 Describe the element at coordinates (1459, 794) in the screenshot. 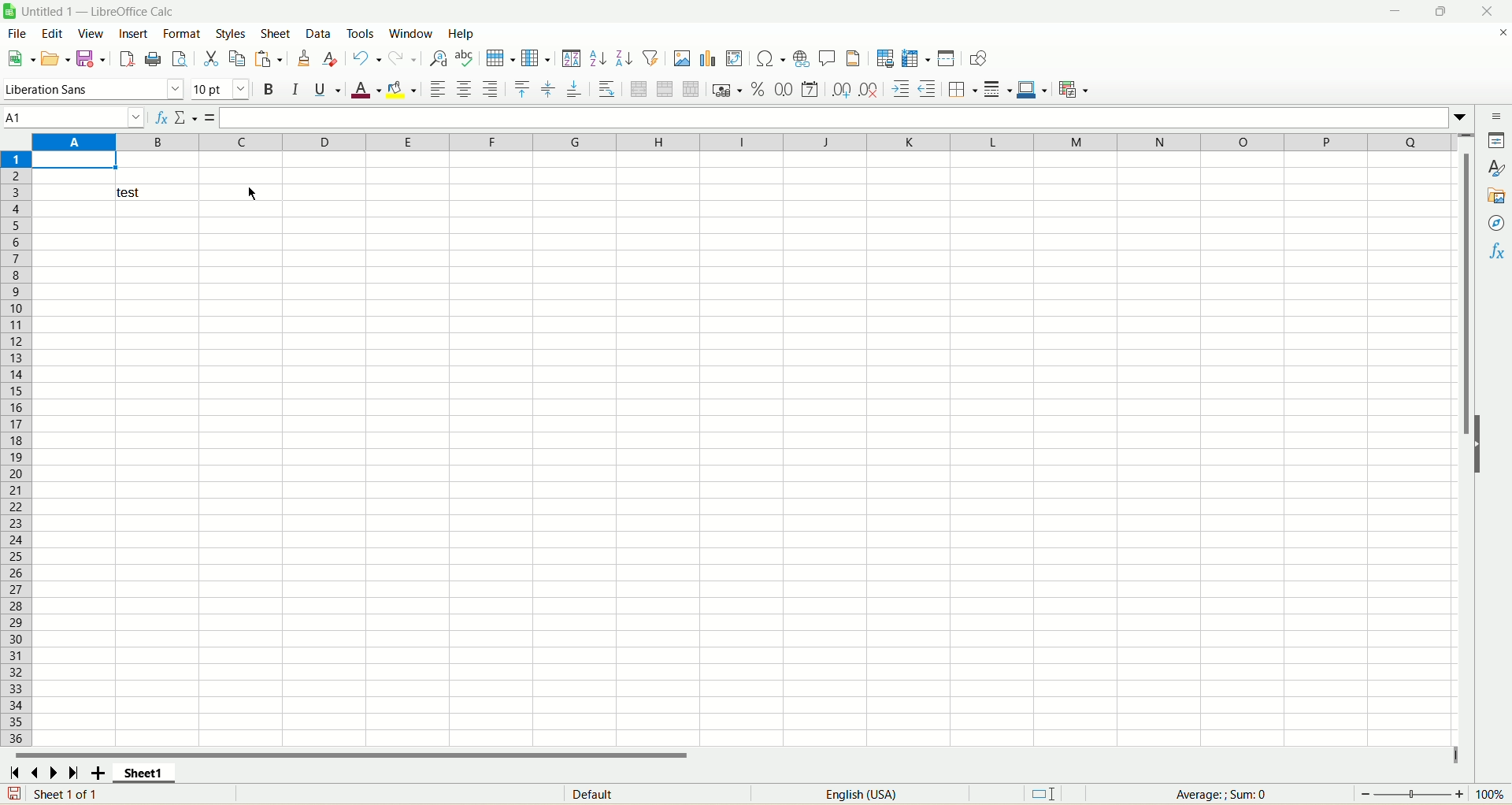

I see `Zoom in` at that location.